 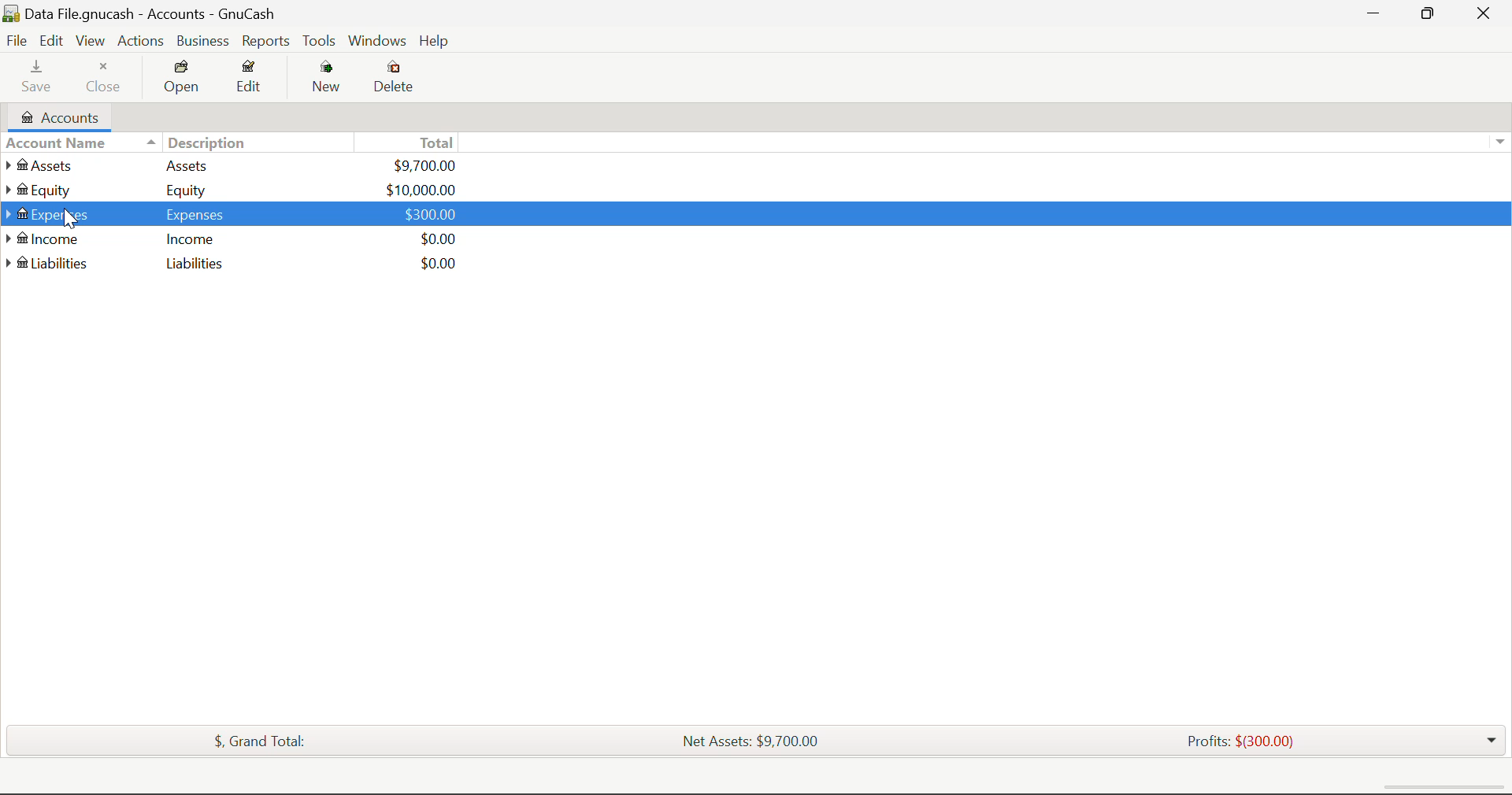 I want to click on Assets Assets $9,700.00, so click(x=232, y=165).